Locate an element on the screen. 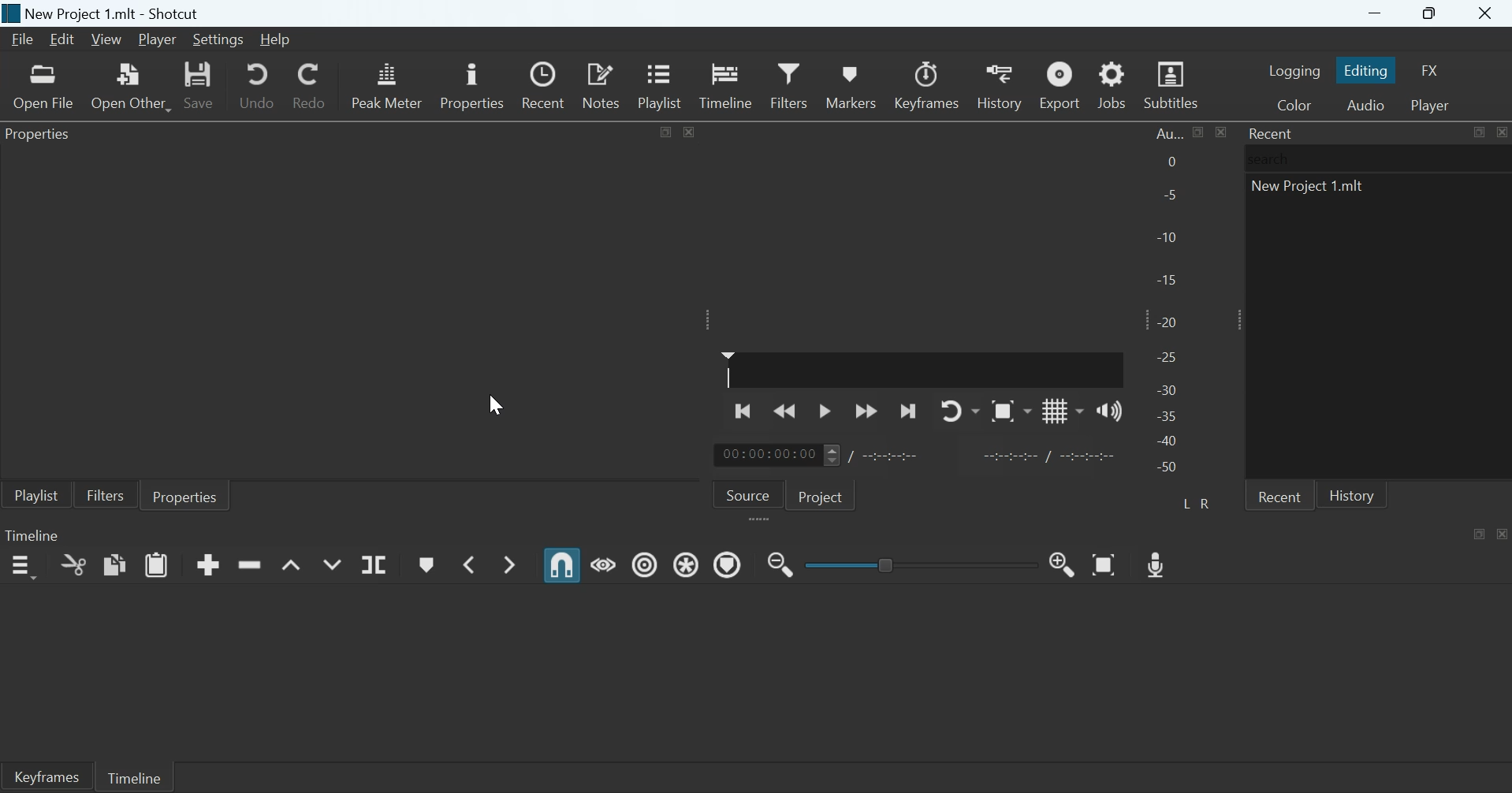 The width and height of the screenshot is (1512, 793). Show the volume control is located at coordinates (1109, 410).